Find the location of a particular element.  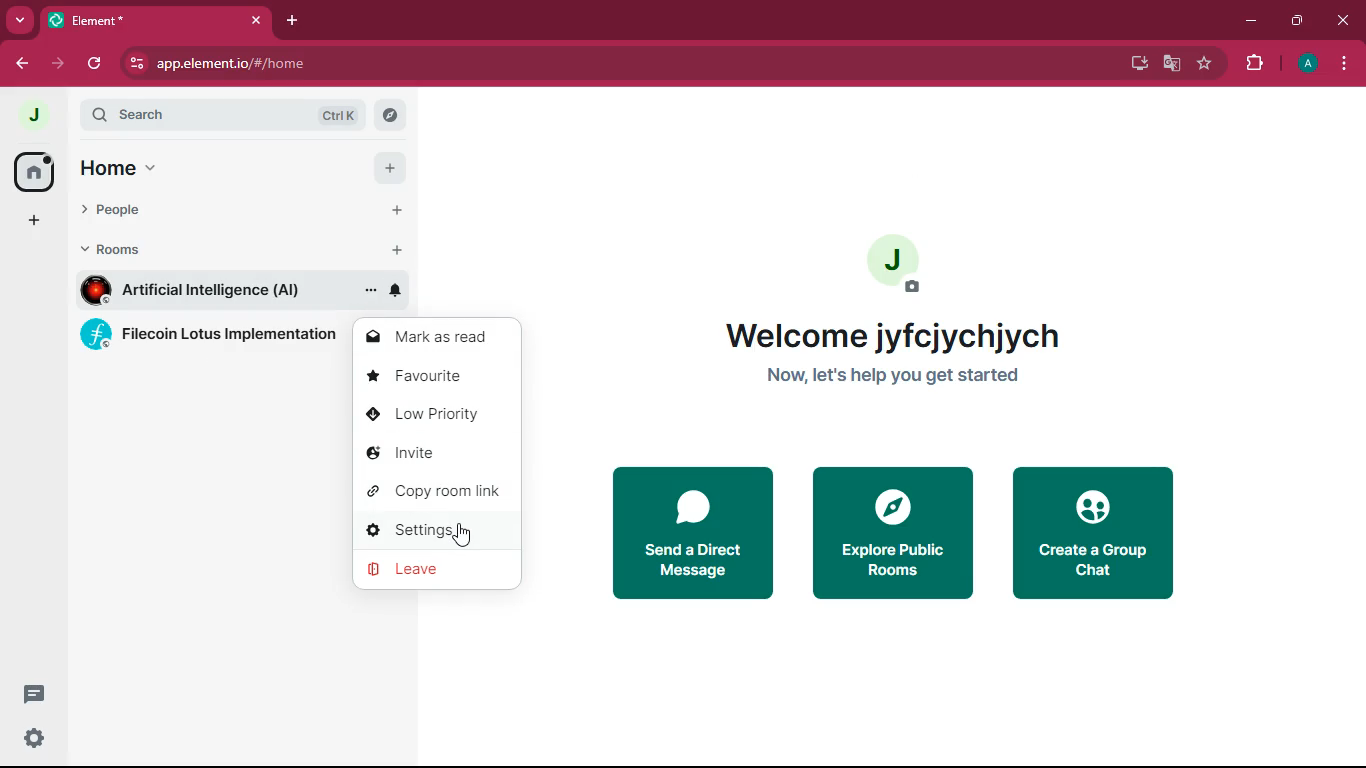

desktop is located at coordinates (1134, 63).